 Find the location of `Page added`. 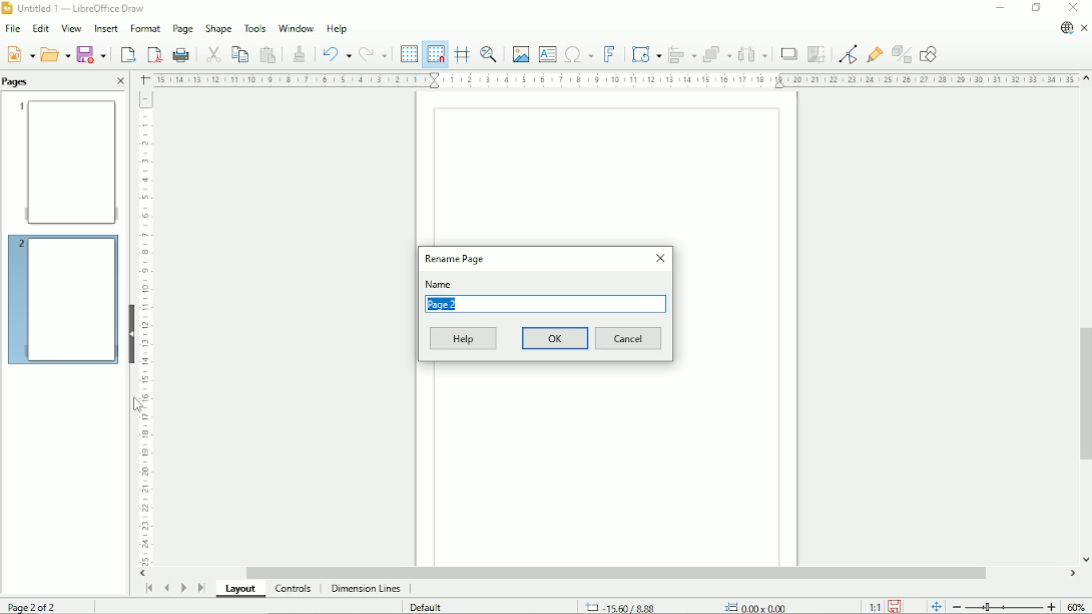

Page added is located at coordinates (61, 297).